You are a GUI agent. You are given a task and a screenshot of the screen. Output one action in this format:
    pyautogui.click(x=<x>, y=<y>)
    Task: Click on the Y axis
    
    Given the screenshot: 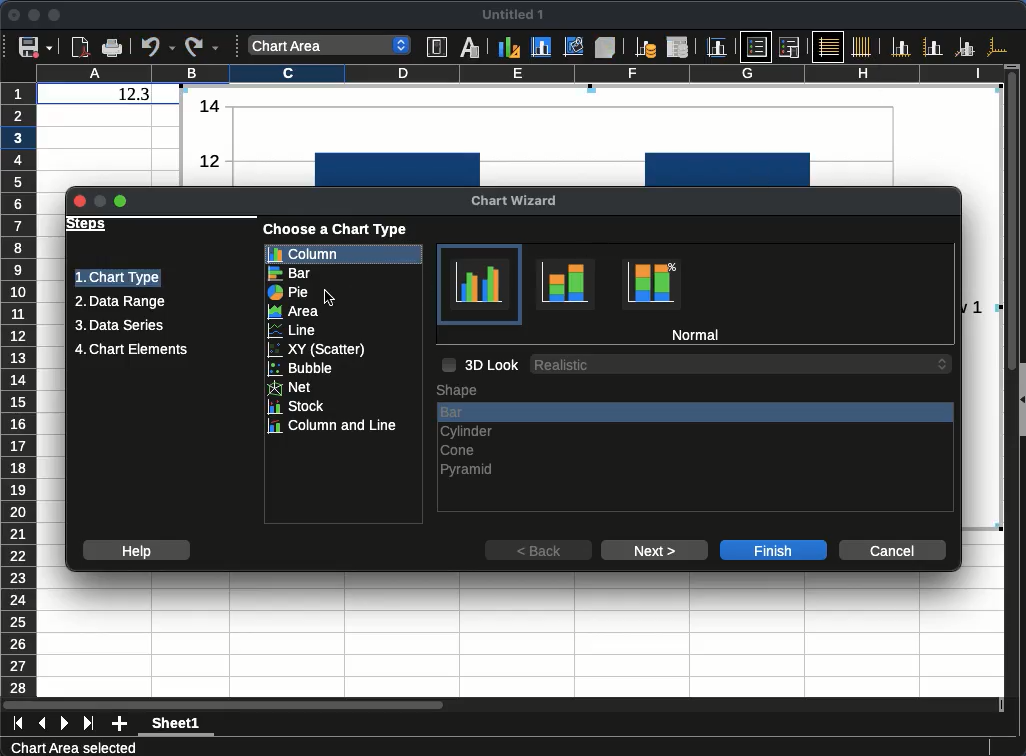 What is the action you would take?
    pyautogui.click(x=933, y=46)
    